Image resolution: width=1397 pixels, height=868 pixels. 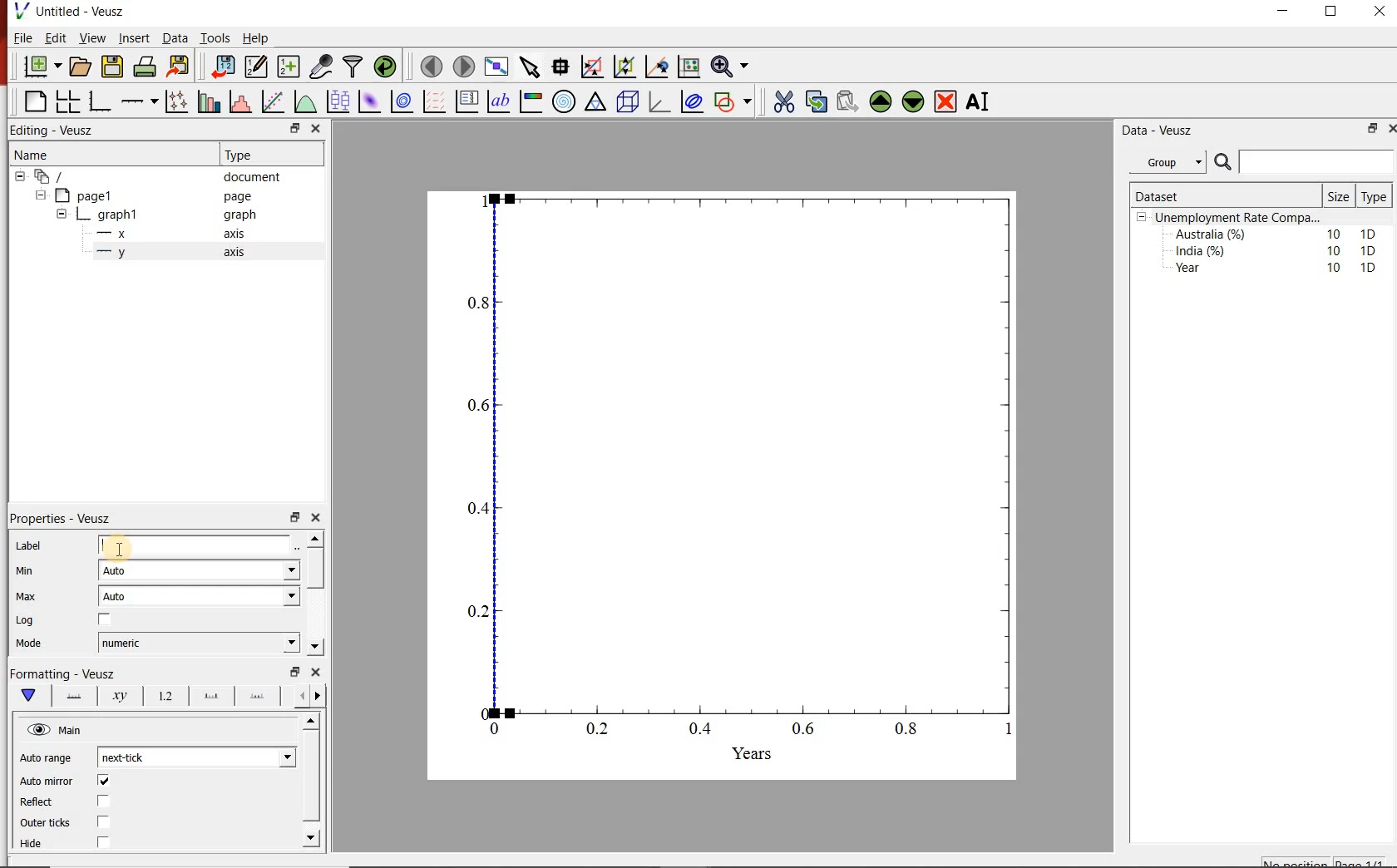 I want to click on new document, so click(x=43, y=66).